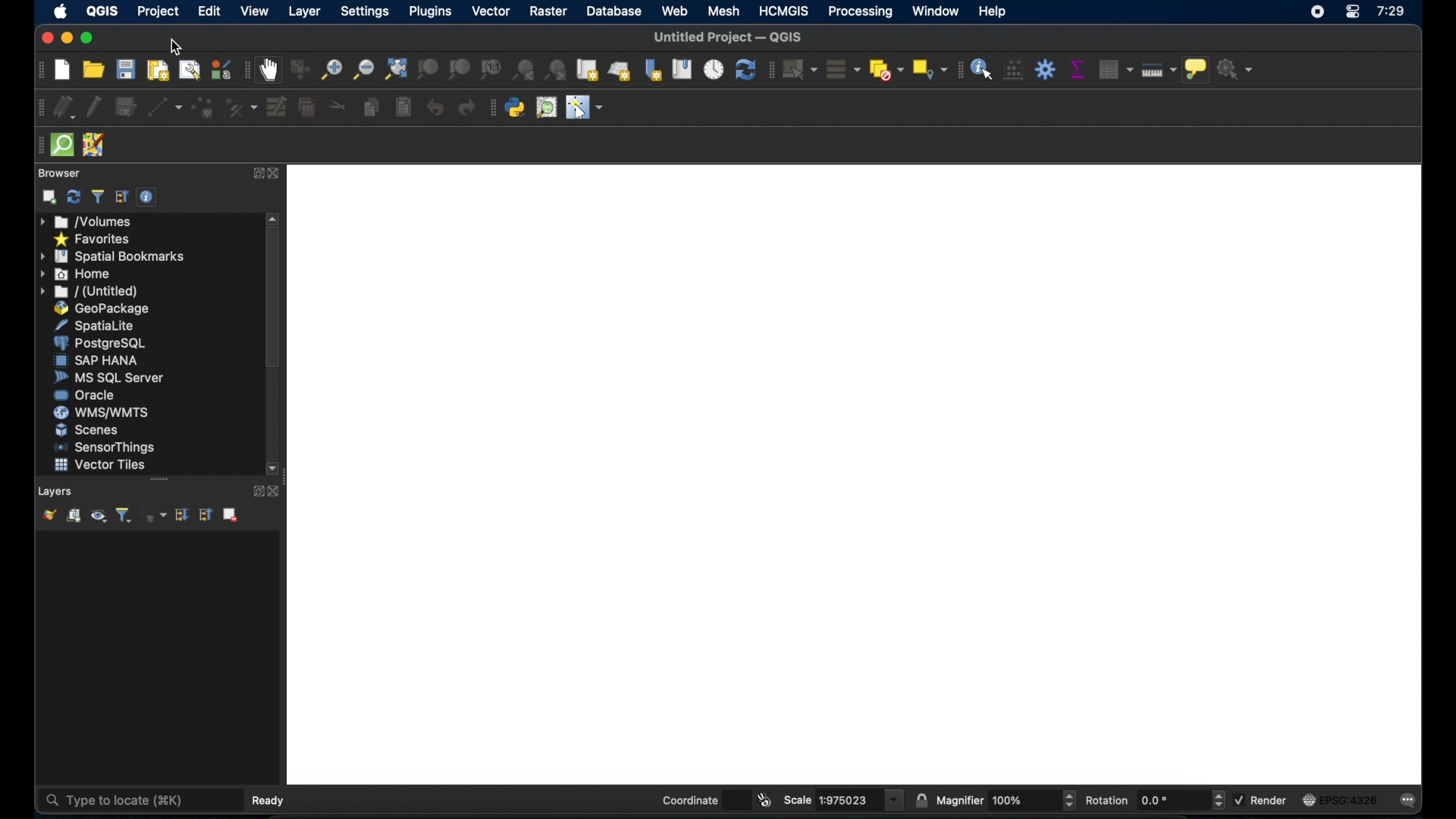 The height and width of the screenshot is (819, 1456). Describe the element at coordinates (1109, 799) in the screenshot. I see `rotation` at that location.